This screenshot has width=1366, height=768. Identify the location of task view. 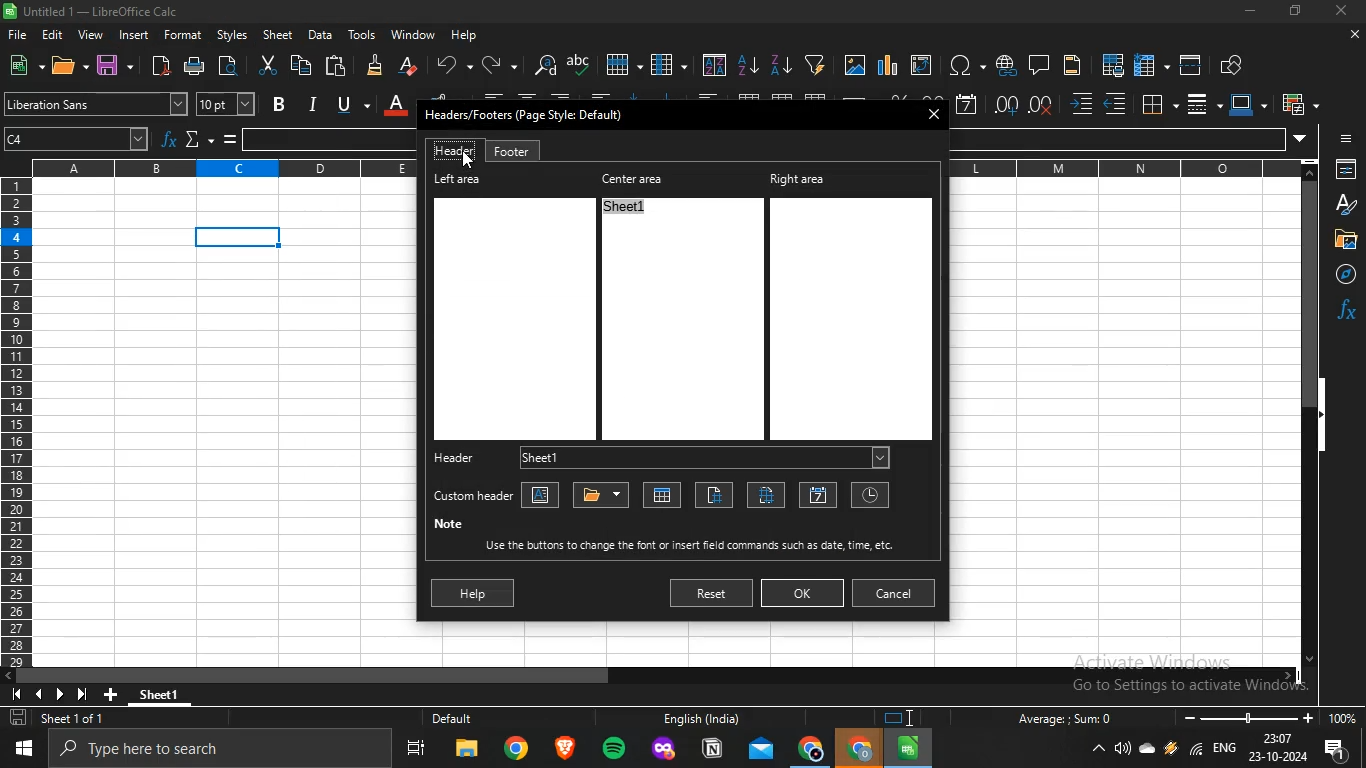
(417, 752).